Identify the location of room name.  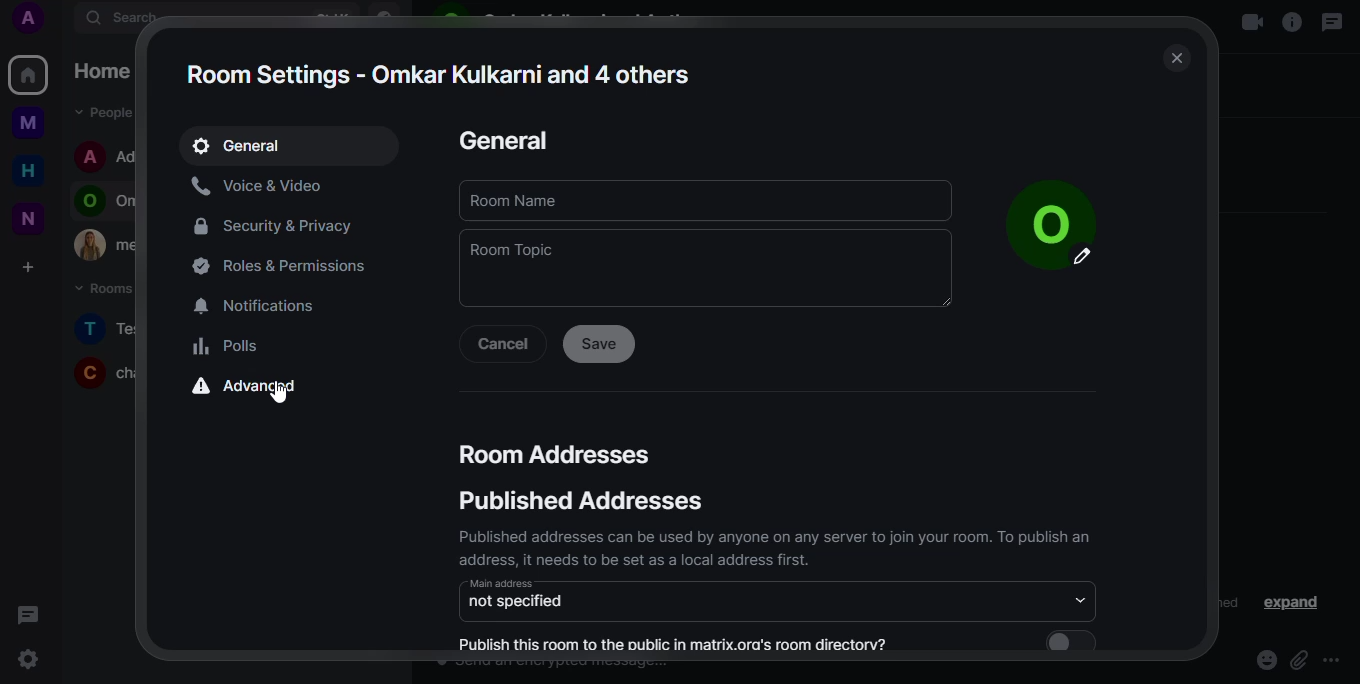
(522, 200).